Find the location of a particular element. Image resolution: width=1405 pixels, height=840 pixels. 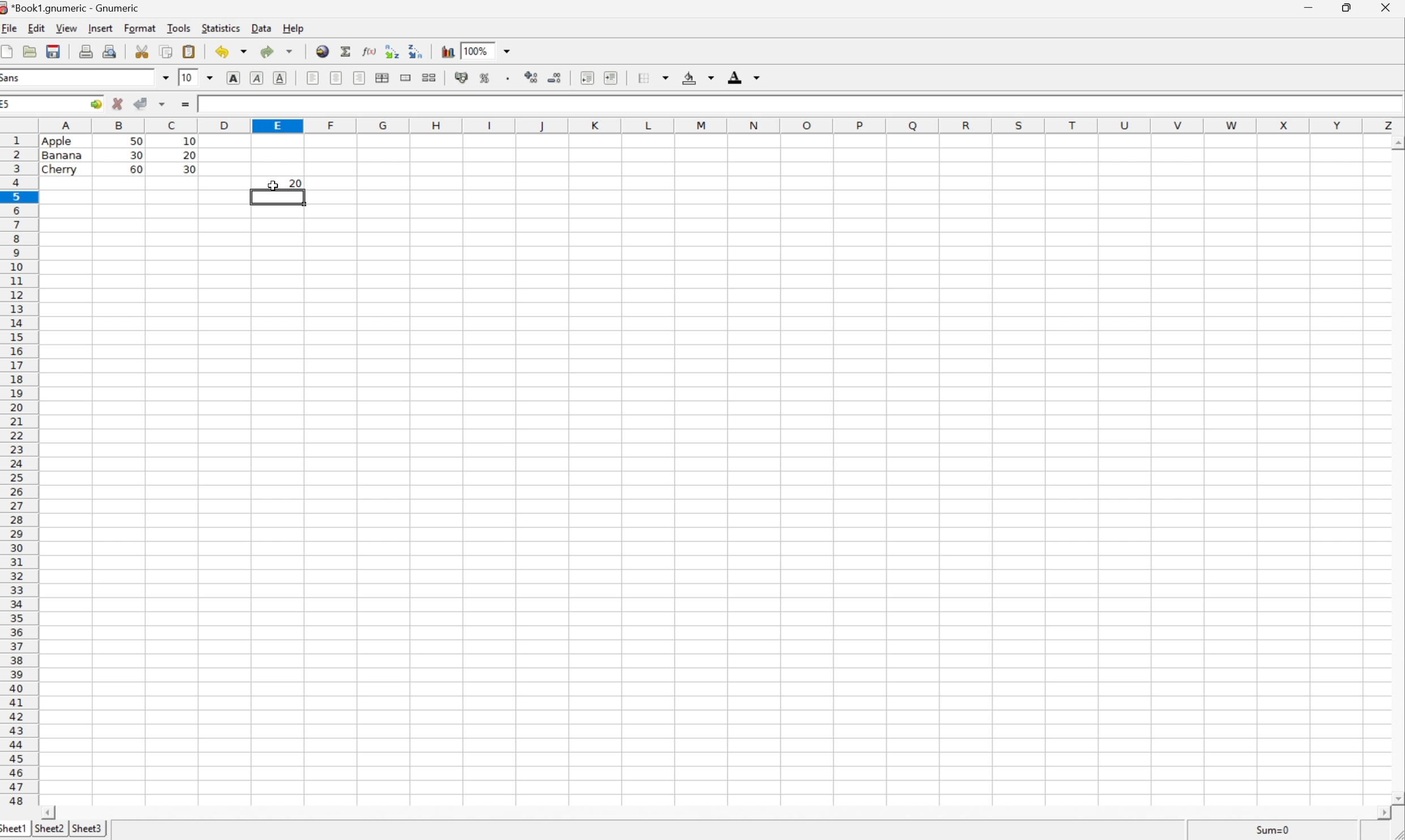

scroll right is located at coordinates (1381, 813).